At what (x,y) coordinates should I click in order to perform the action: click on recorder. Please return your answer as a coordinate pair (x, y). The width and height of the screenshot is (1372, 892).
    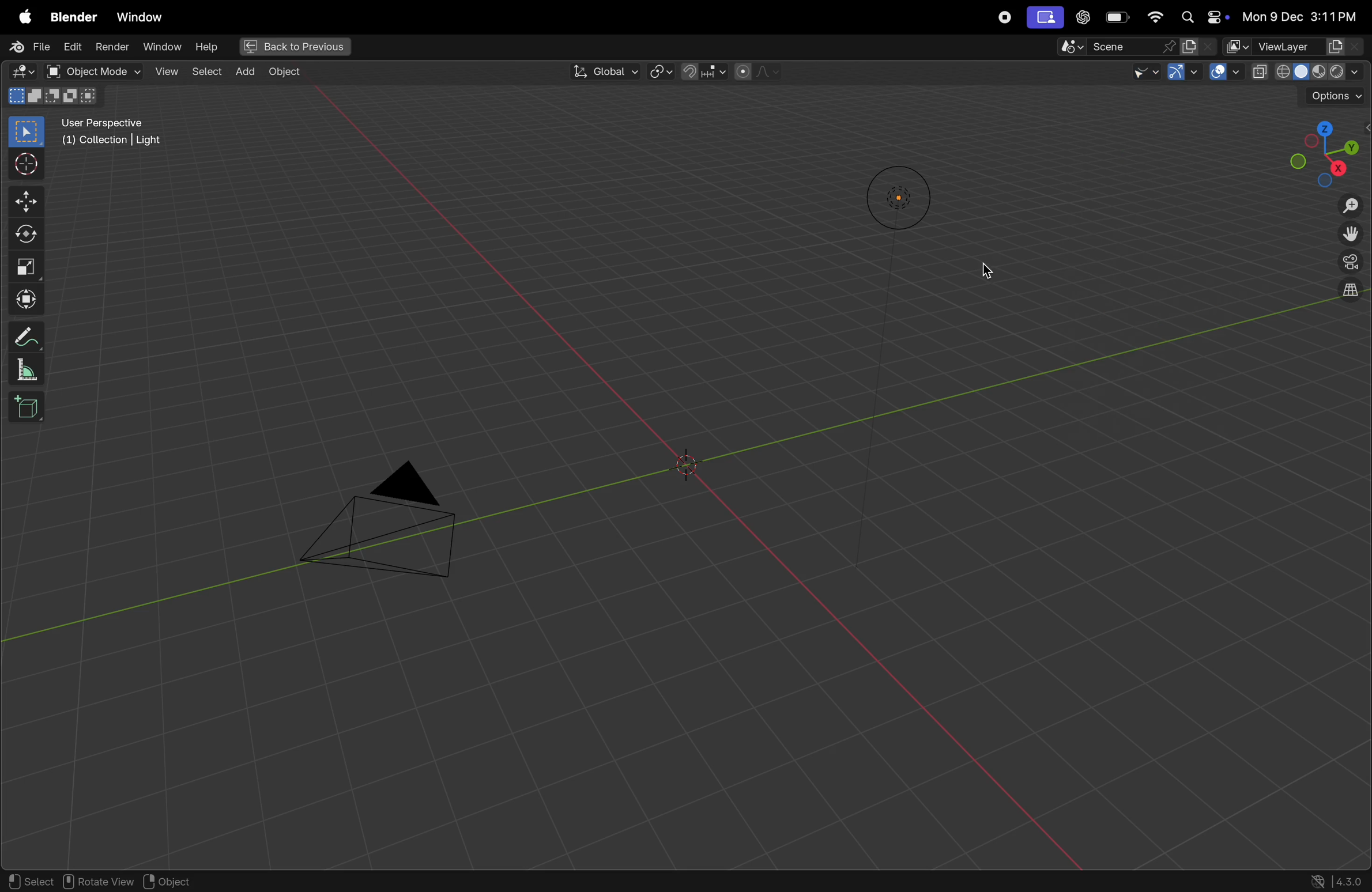
    Looking at the image, I should click on (1006, 19).